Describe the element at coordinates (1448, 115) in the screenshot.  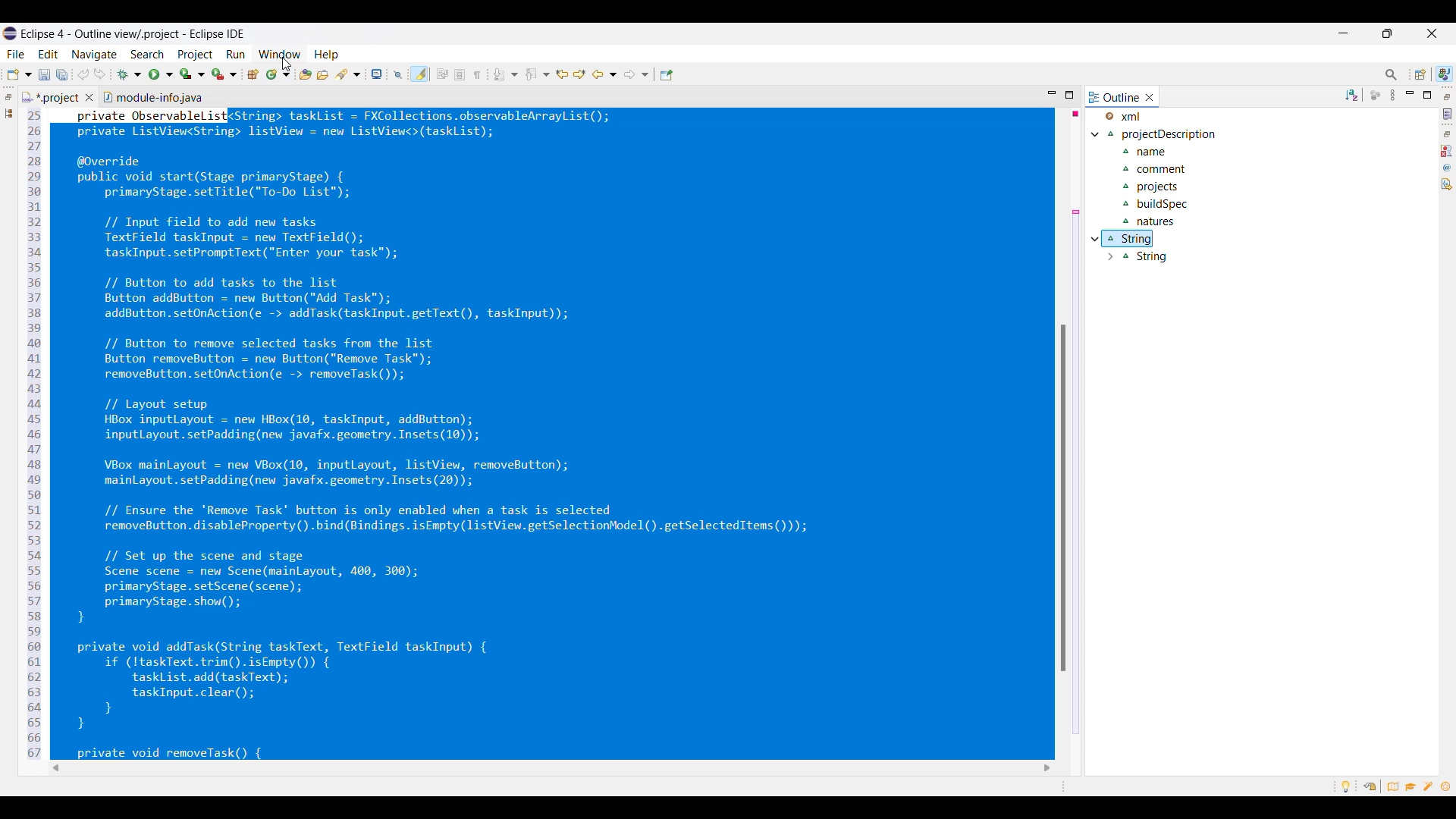
I see `Task list` at that location.